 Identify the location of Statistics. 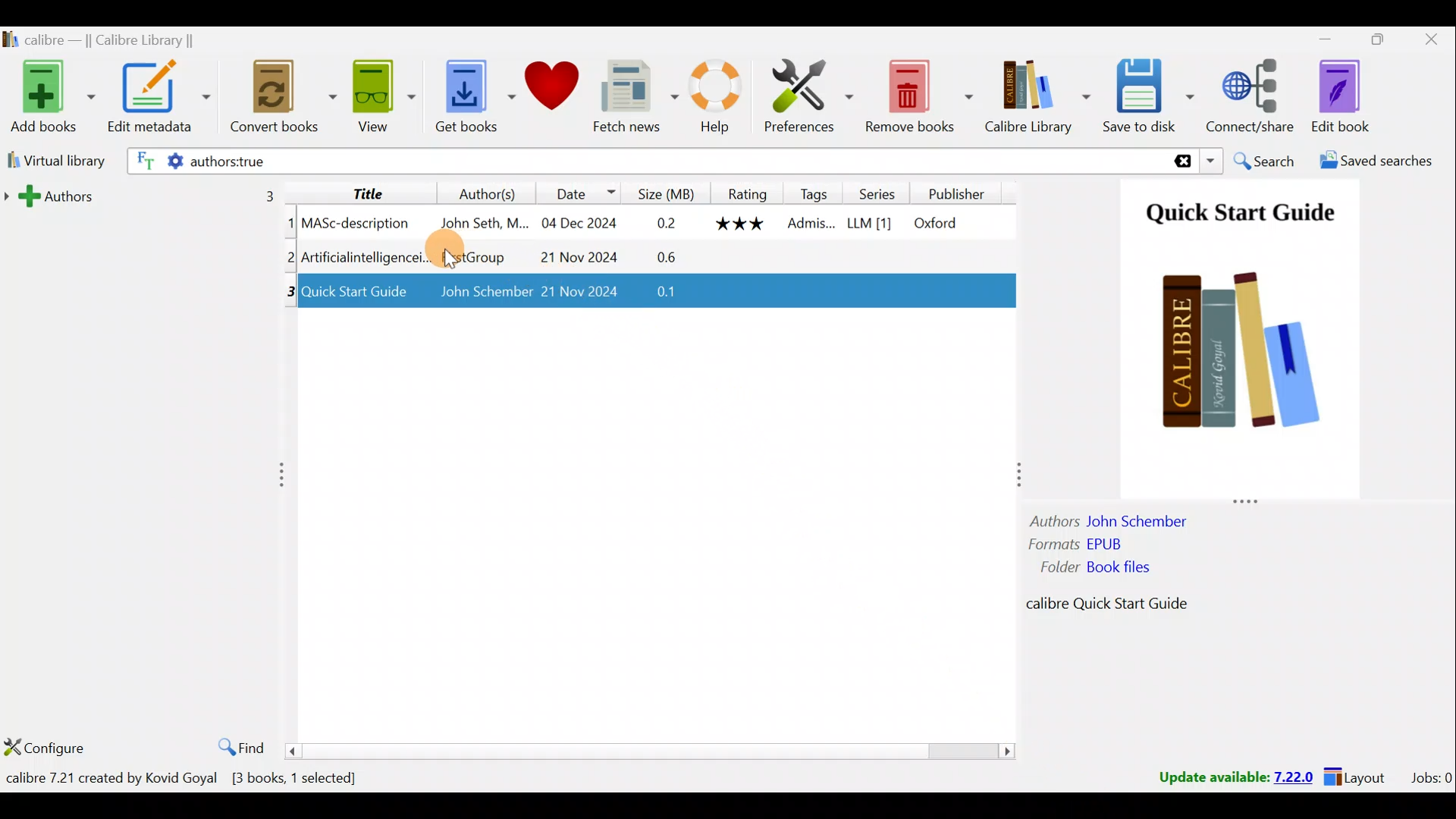
(210, 777).